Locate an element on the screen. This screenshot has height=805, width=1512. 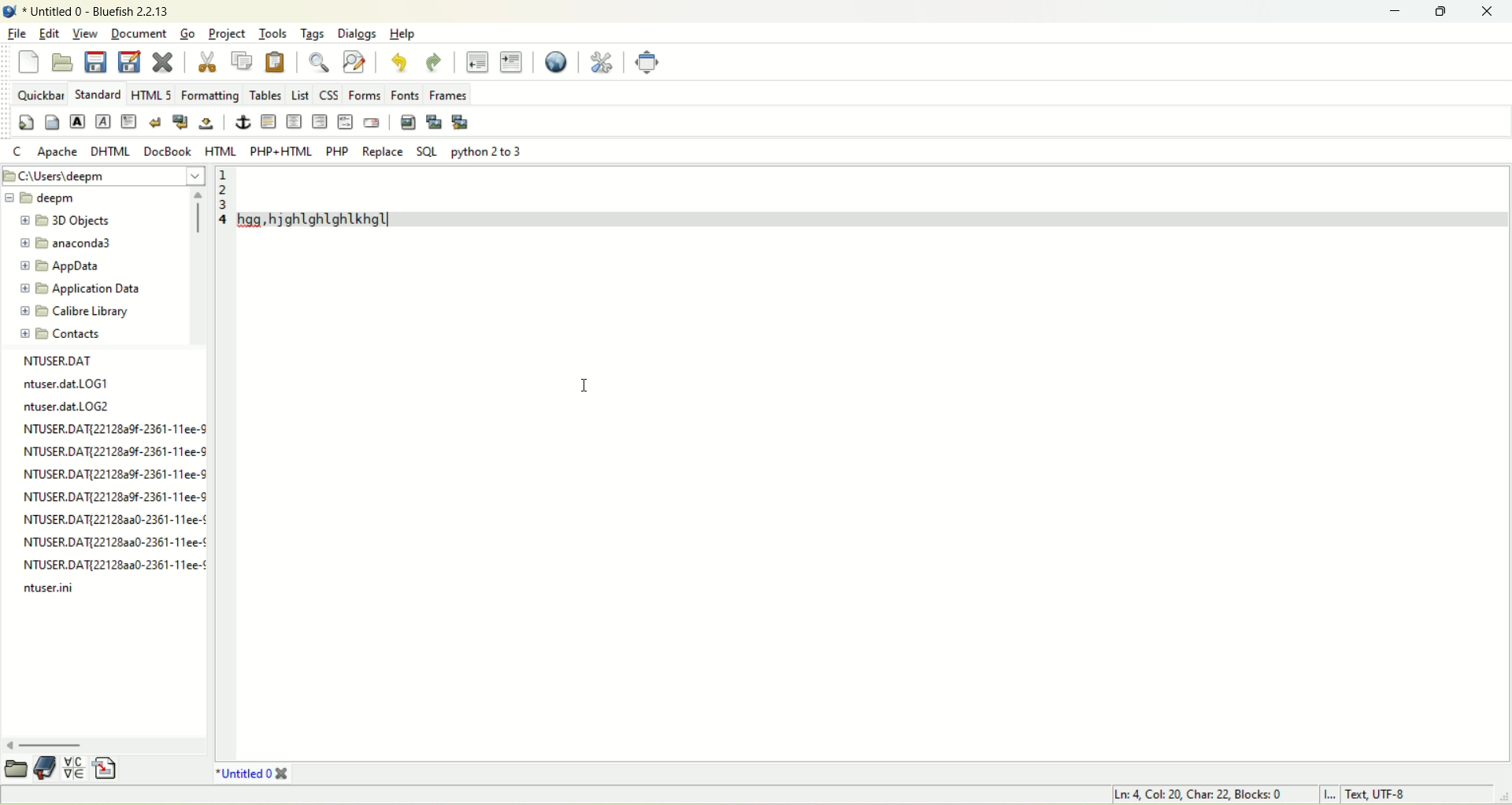
document is located at coordinates (136, 32).